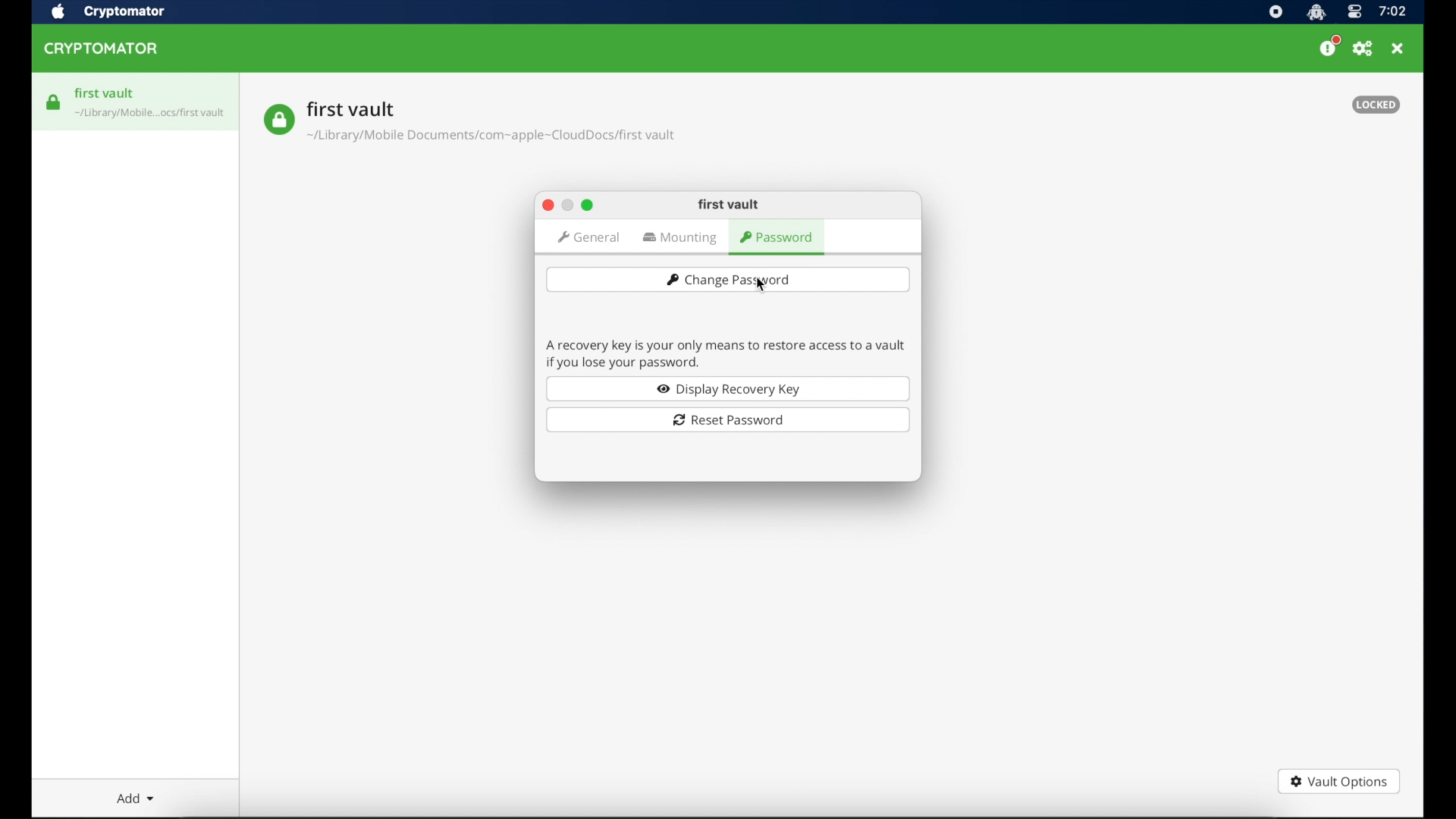 This screenshot has height=819, width=1456. What do you see at coordinates (351, 108) in the screenshot?
I see `vault name` at bounding box center [351, 108].